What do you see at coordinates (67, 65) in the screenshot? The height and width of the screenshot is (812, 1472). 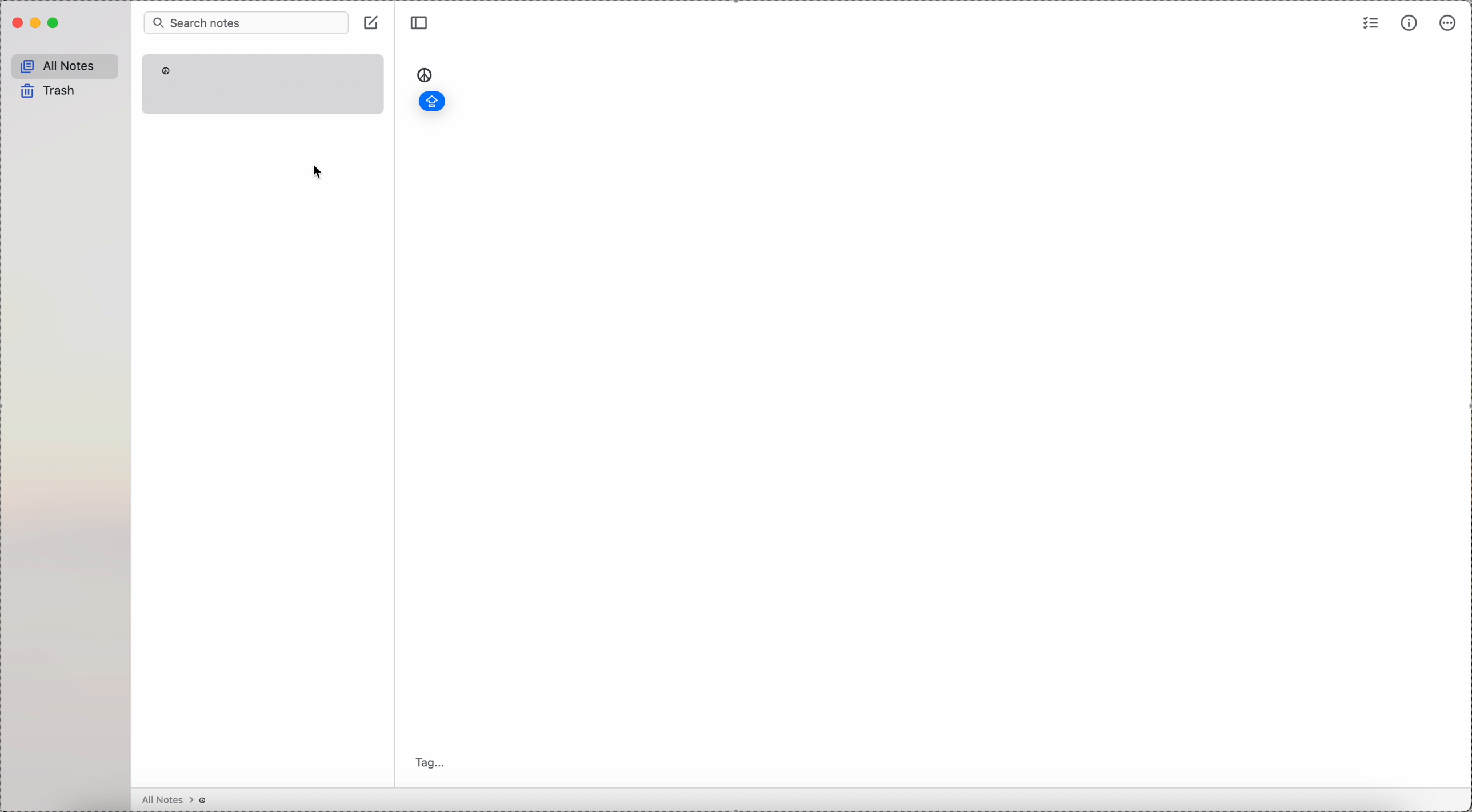 I see `all notes` at bounding box center [67, 65].